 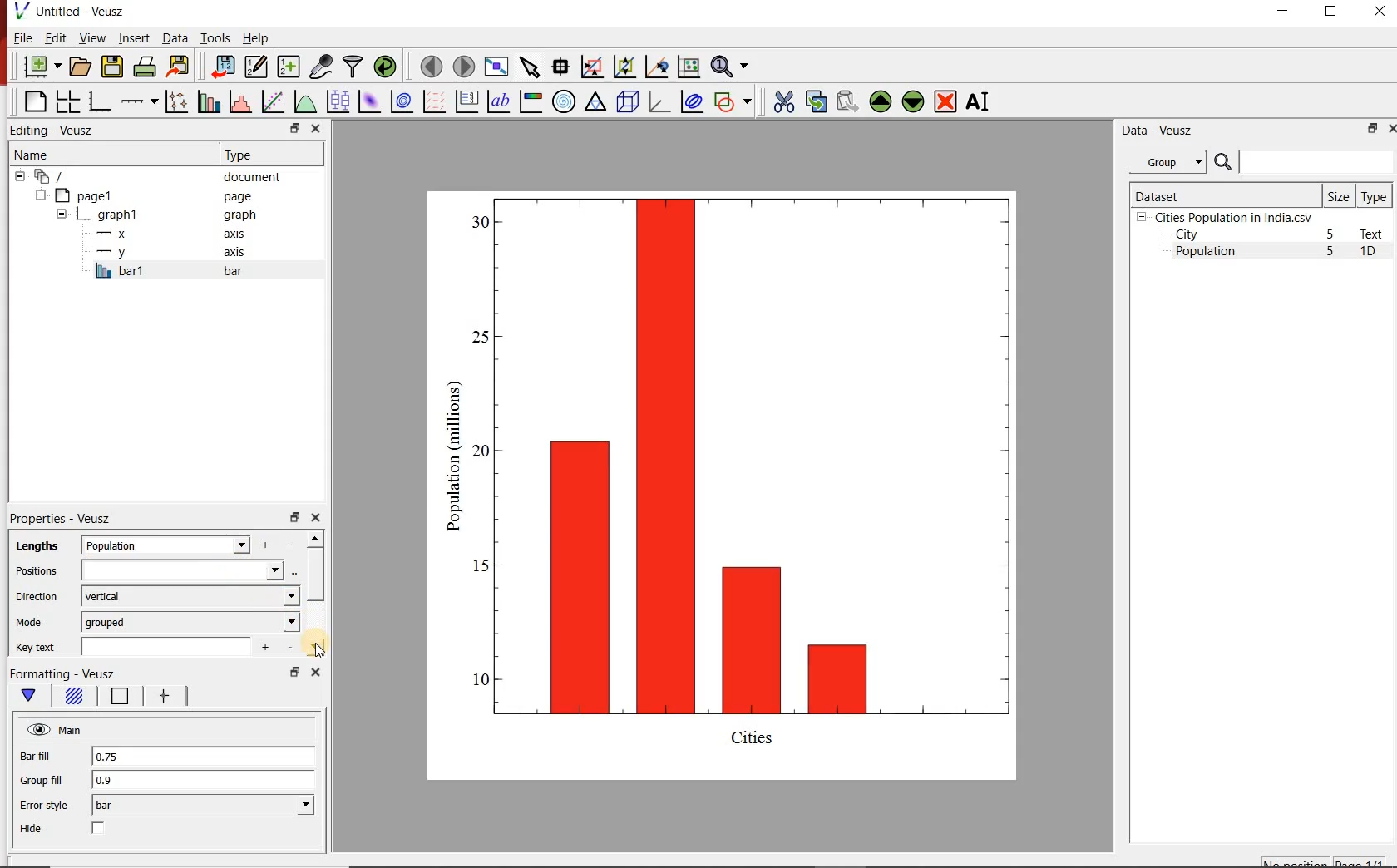 I want to click on Group datasets with property given, so click(x=1167, y=161).